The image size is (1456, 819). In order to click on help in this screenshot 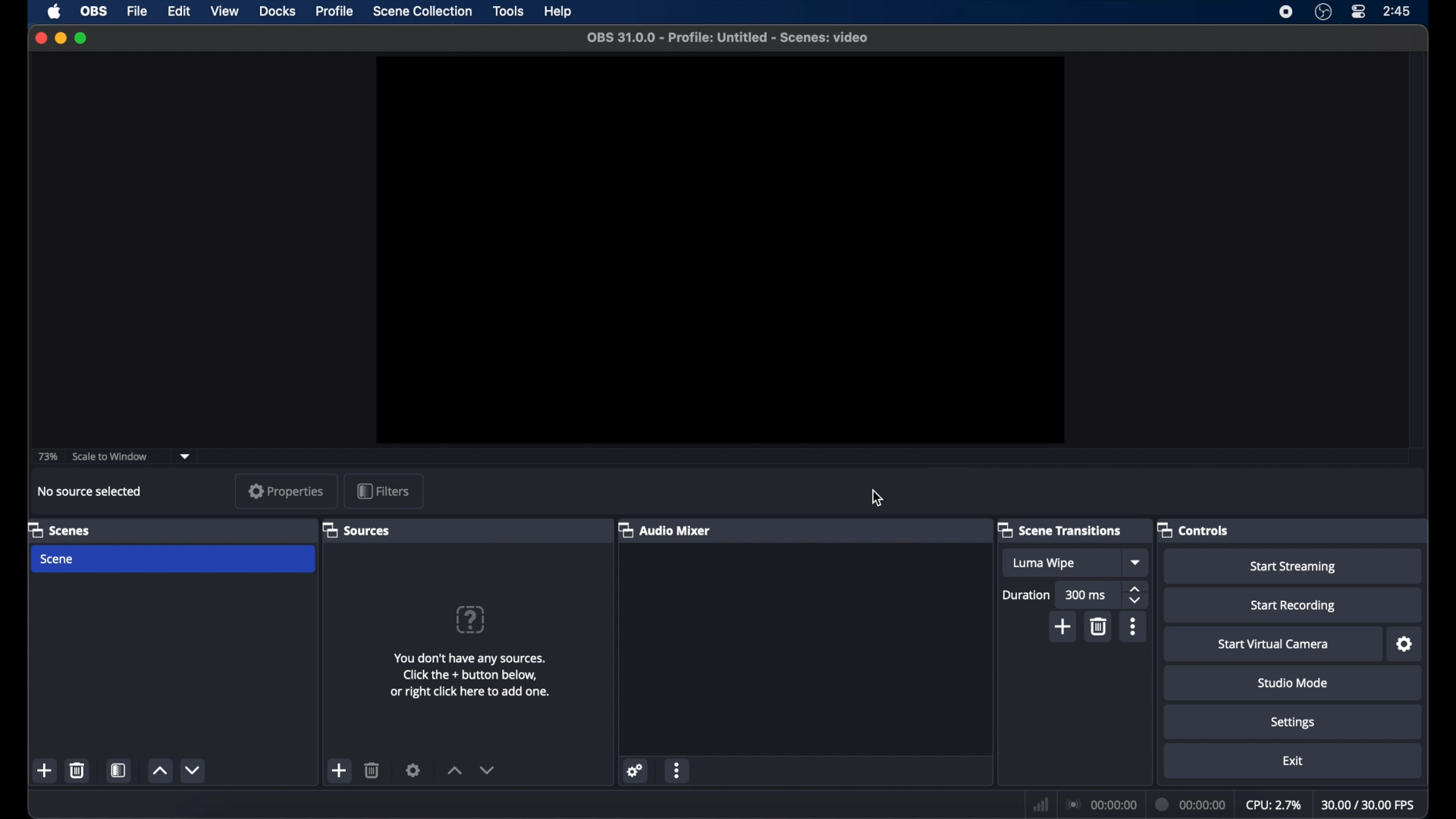, I will do `click(559, 11)`.